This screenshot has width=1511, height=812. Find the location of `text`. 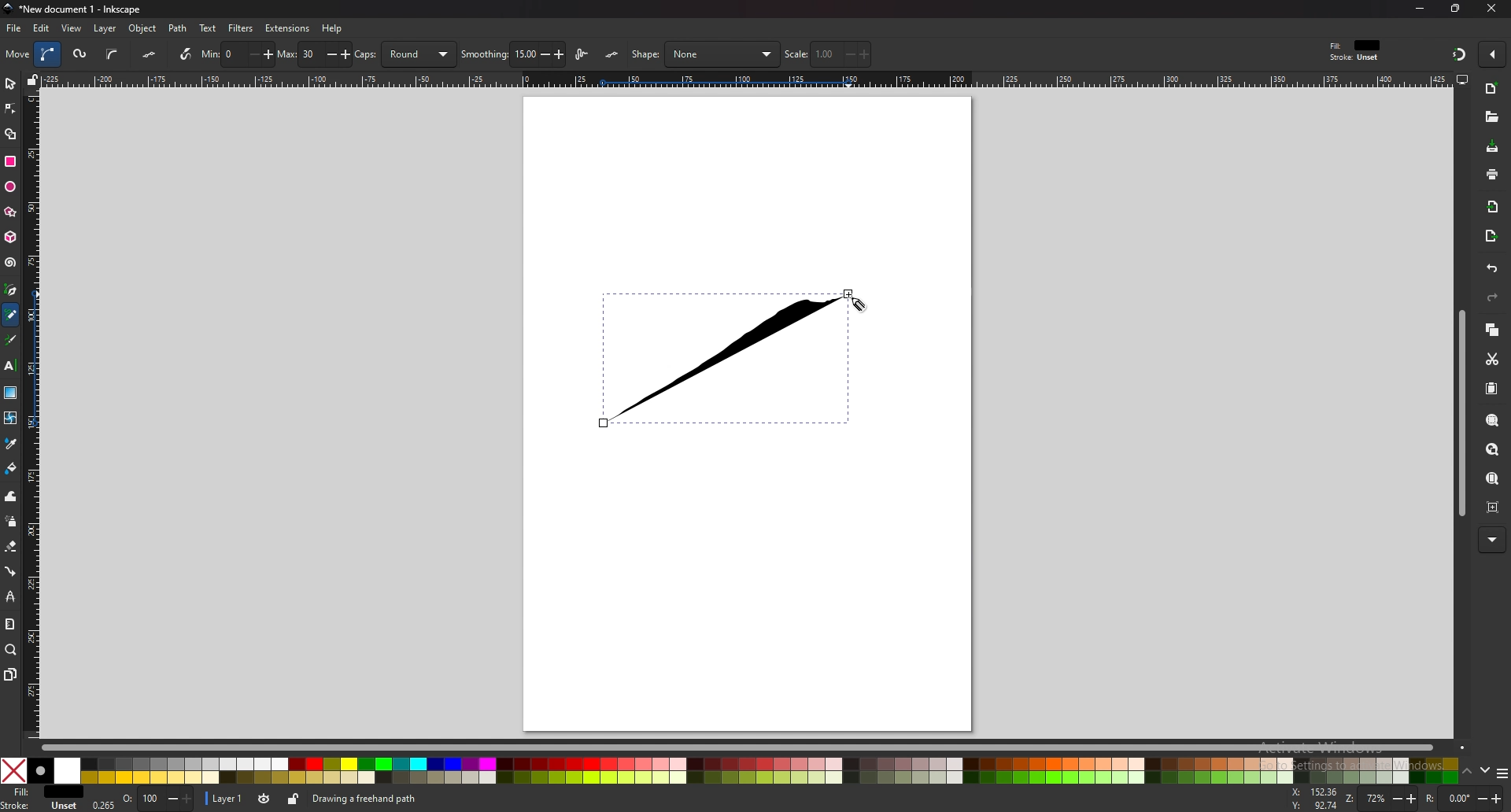

text is located at coordinates (10, 365).